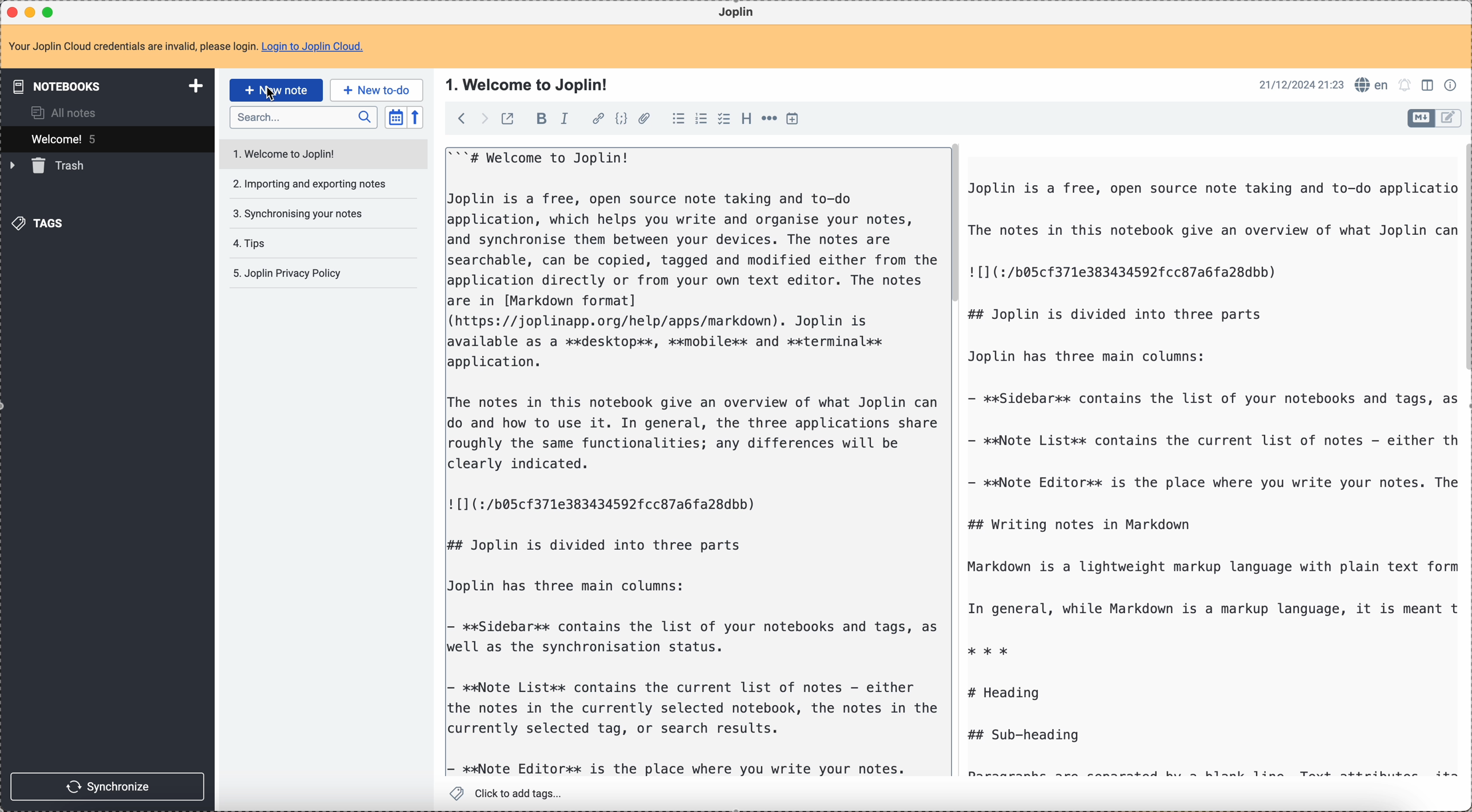 Image resolution: width=1472 pixels, height=812 pixels. What do you see at coordinates (458, 118) in the screenshot?
I see `back` at bounding box center [458, 118].